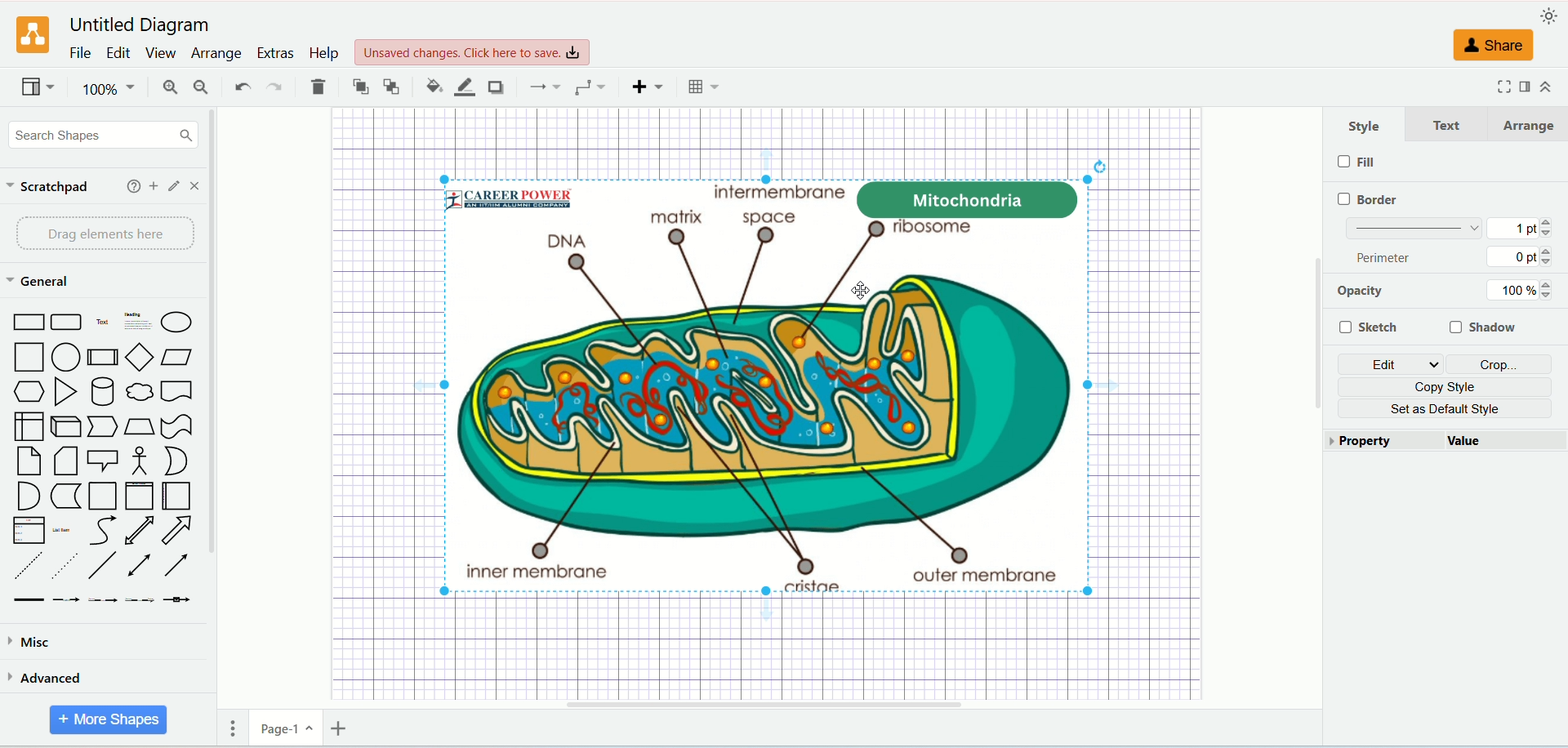 The width and height of the screenshot is (1568, 748). I want to click on Card, so click(29, 461).